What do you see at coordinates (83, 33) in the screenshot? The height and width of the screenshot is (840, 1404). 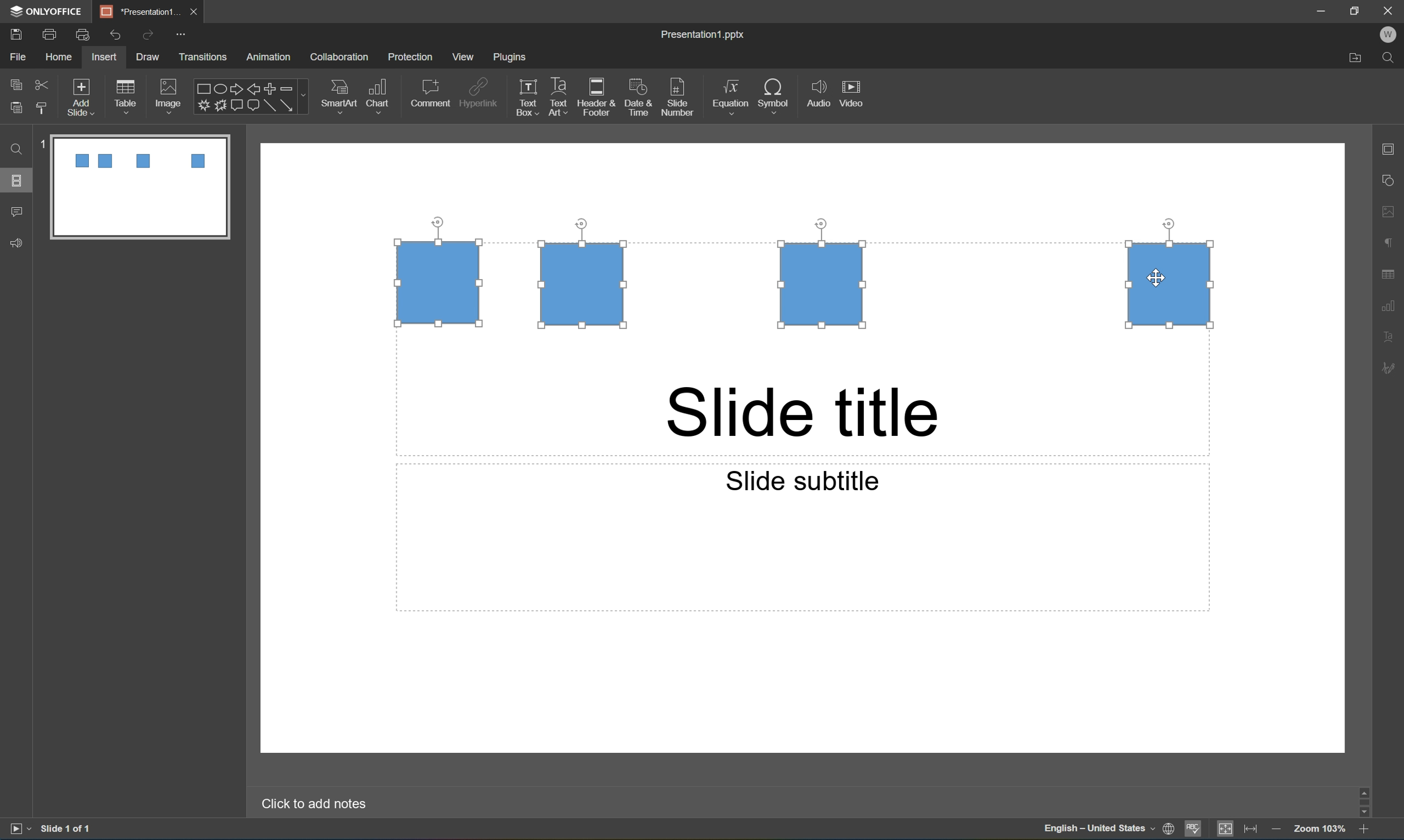 I see `quick print` at bounding box center [83, 33].